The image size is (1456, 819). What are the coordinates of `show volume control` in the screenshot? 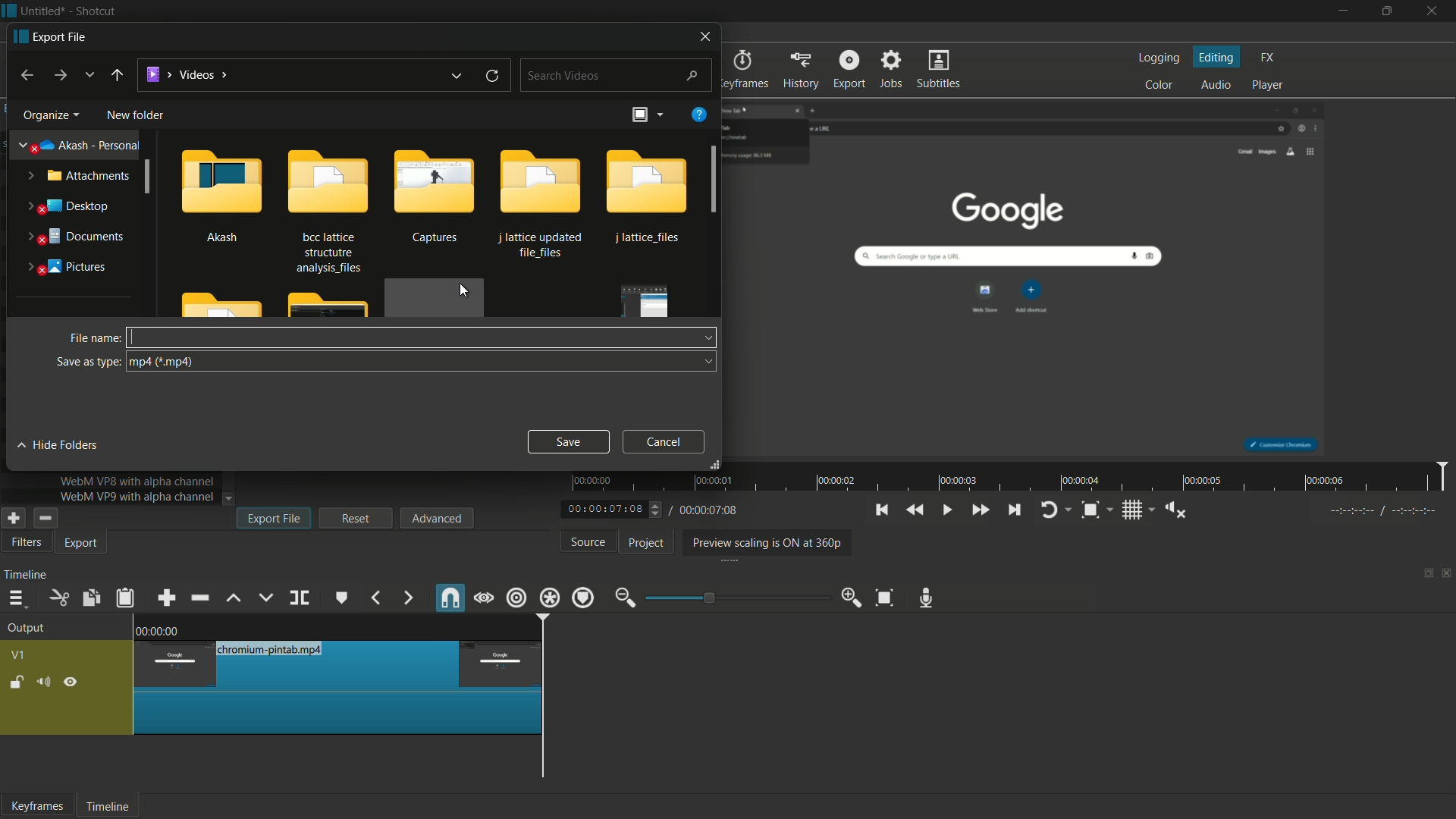 It's located at (1181, 510).